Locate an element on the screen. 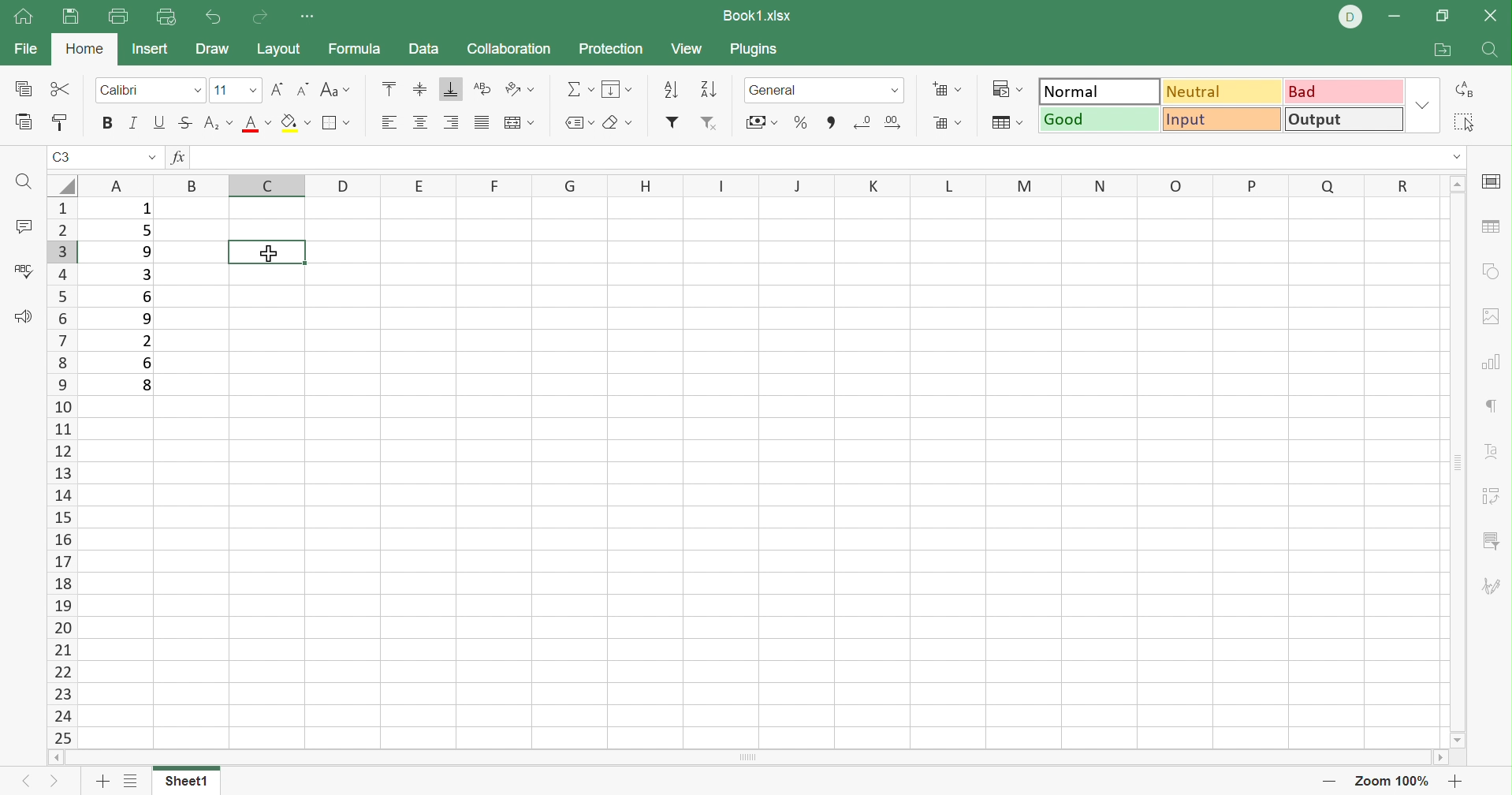 Image resolution: width=1512 pixels, height=795 pixels. Named ranges is located at coordinates (577, 123).